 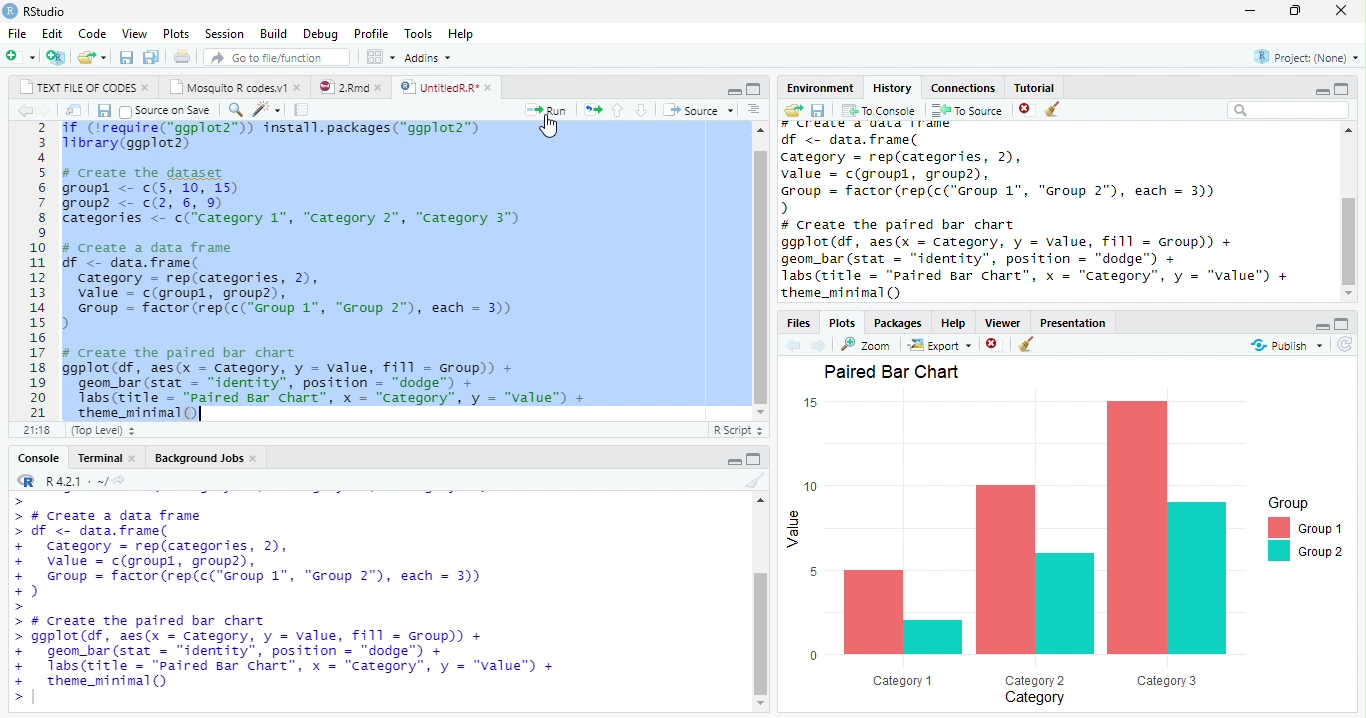 What do you see at coordinates (471, 37) in the screenshot?
I see `help` at bounding box center [471, 37].